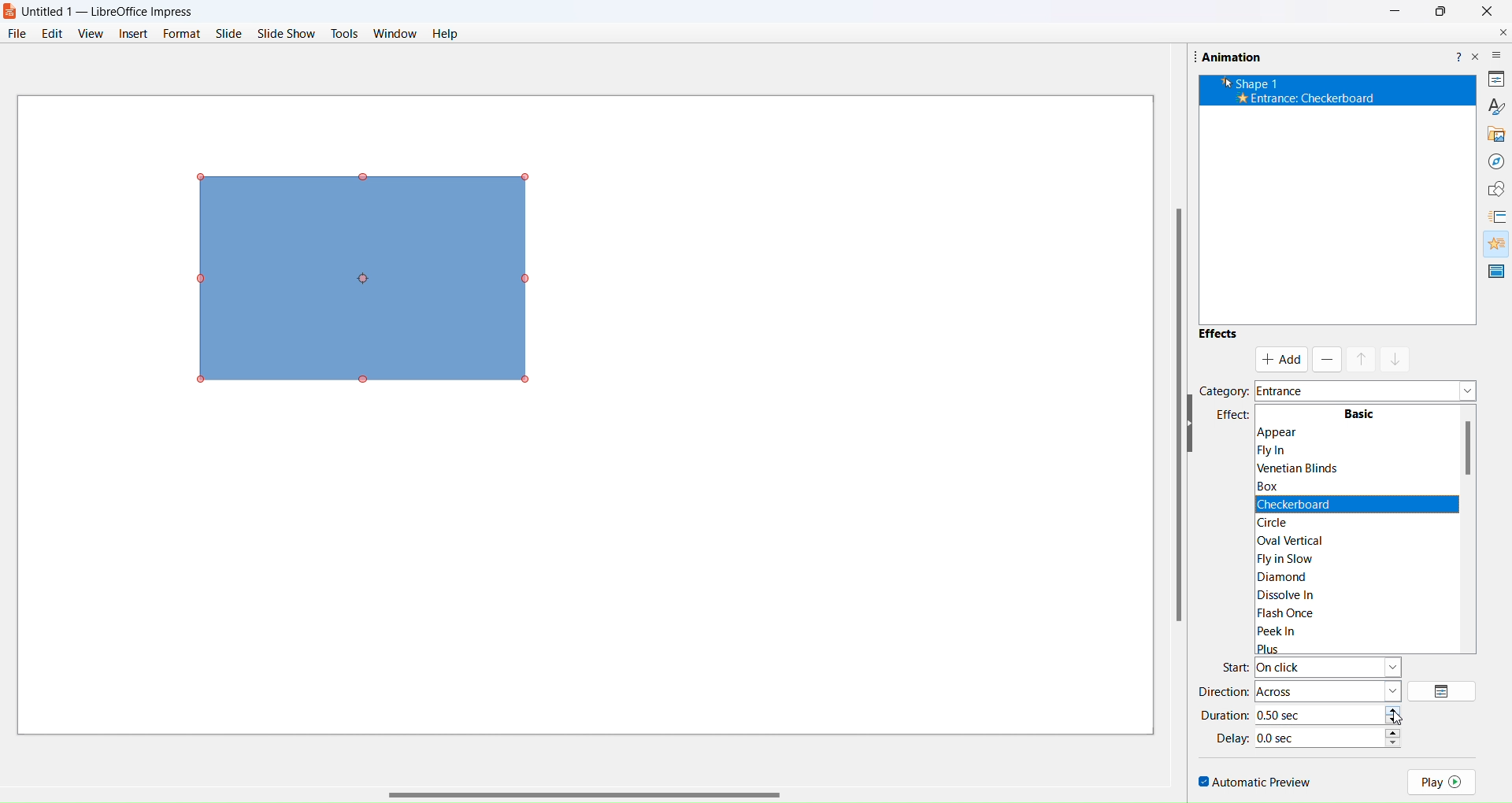  Describe the element at coordinates (1221, 692) in the screenshot. I see `direction` at that location.